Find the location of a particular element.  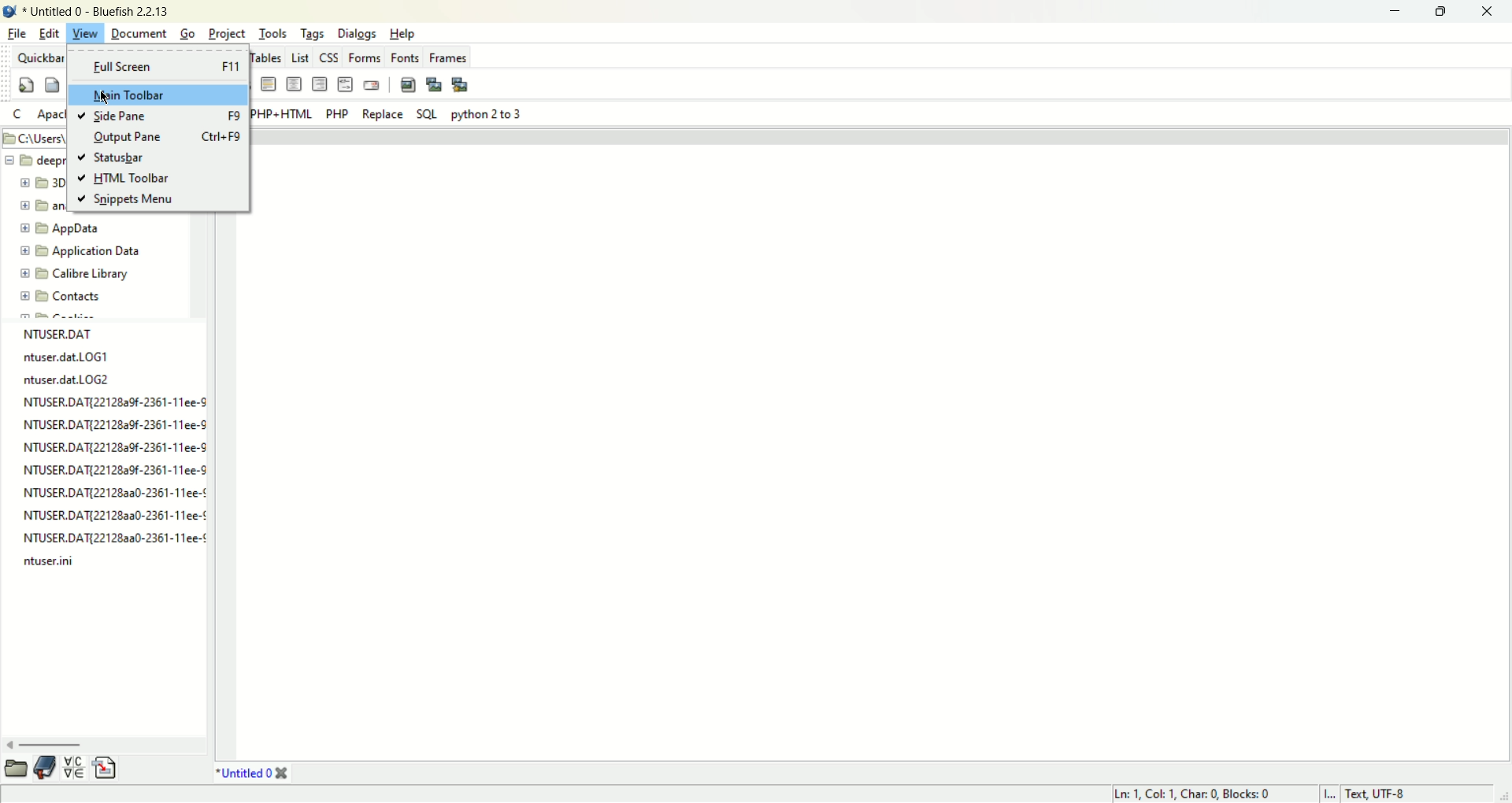

main toolbar is located at coordinates (157, 96).